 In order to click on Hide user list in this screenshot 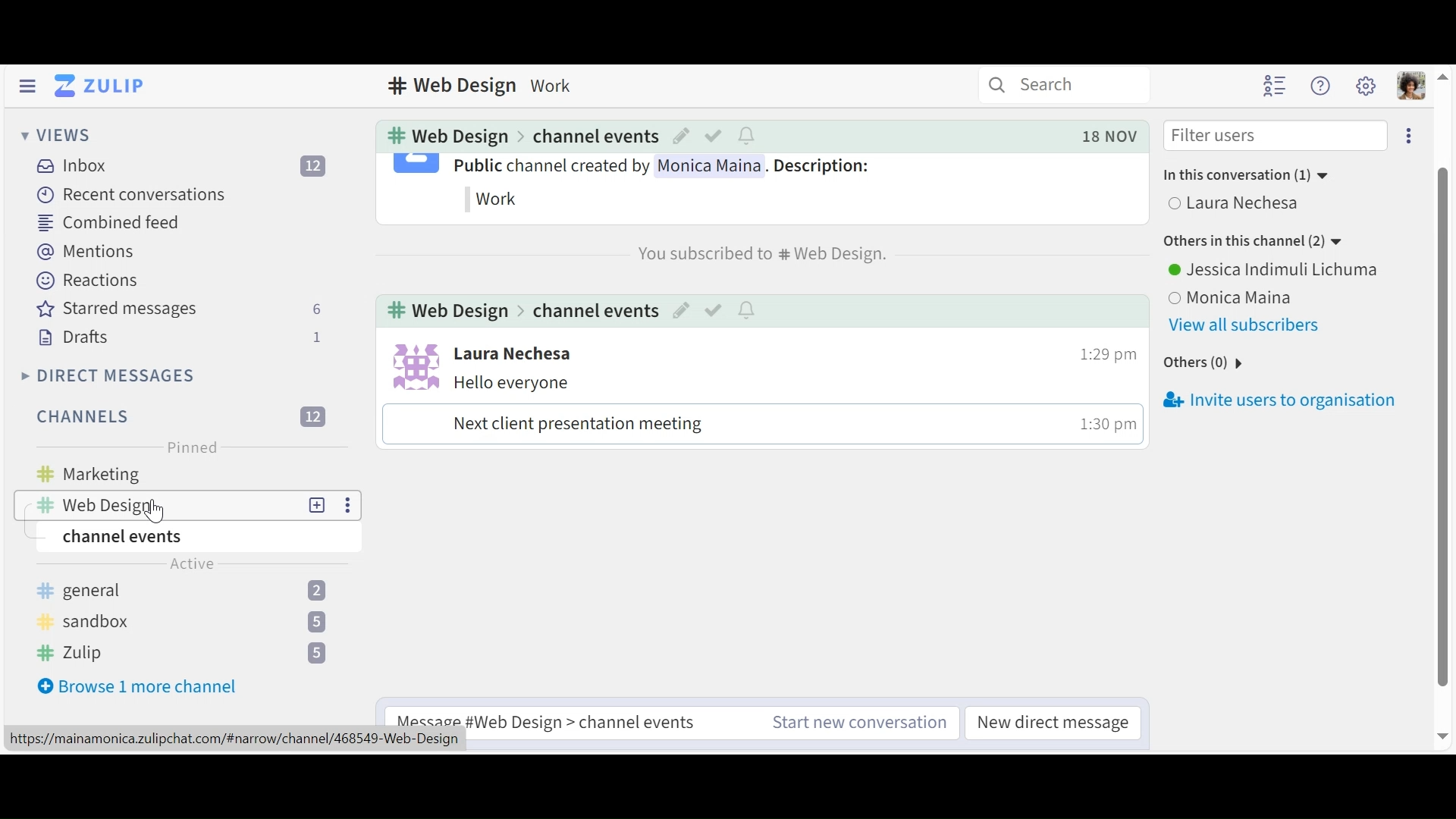, I will do `click(1276, 86)`.